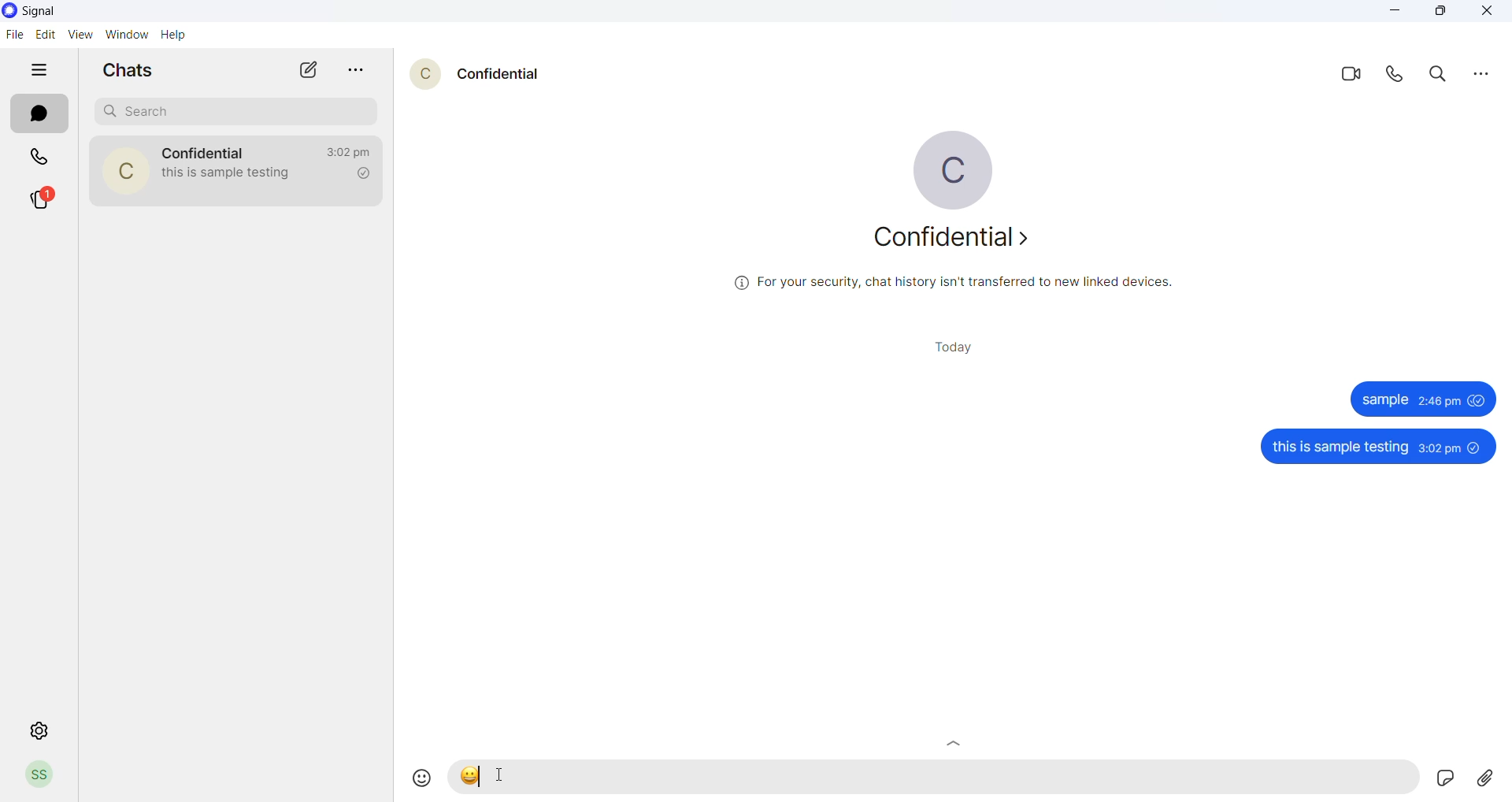  I want to click on hide, so click(37, 71).